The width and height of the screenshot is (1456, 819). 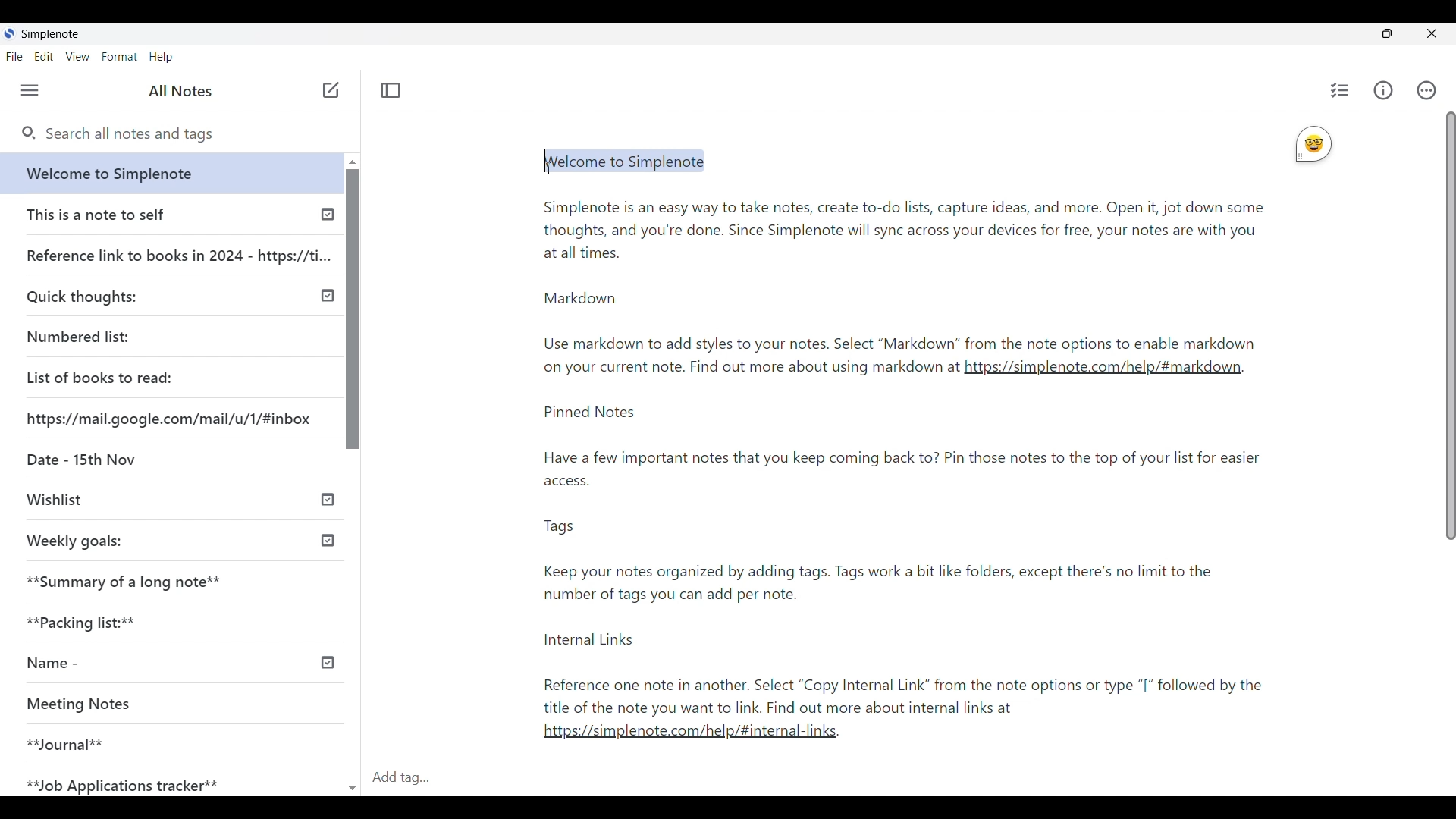 I want to click on Journal, so click(x=65, y=743).